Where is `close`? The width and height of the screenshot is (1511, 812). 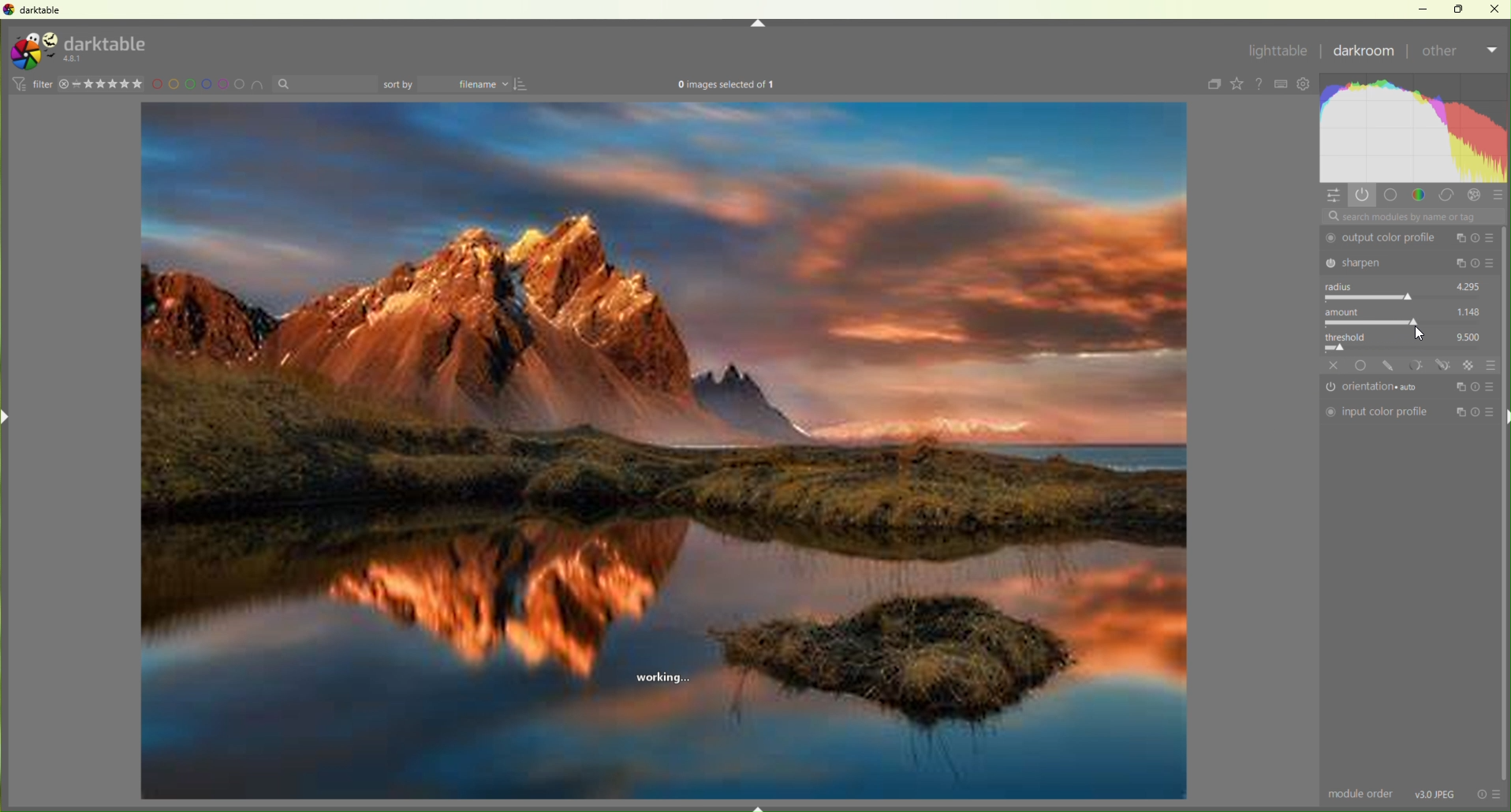
close is located at coordinates (1334, 365).